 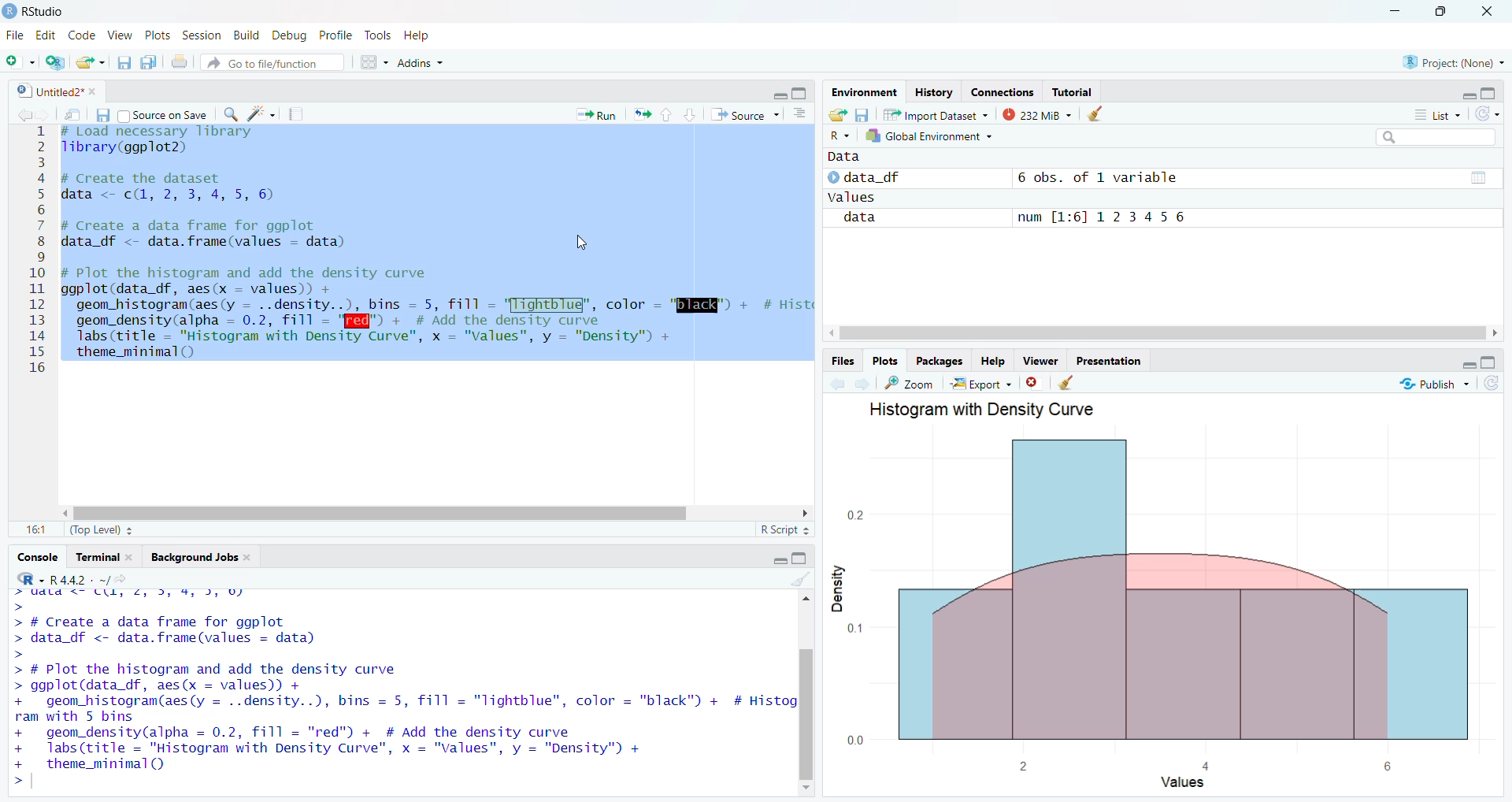 I want to click on Edit, so click(x=46, y=34).